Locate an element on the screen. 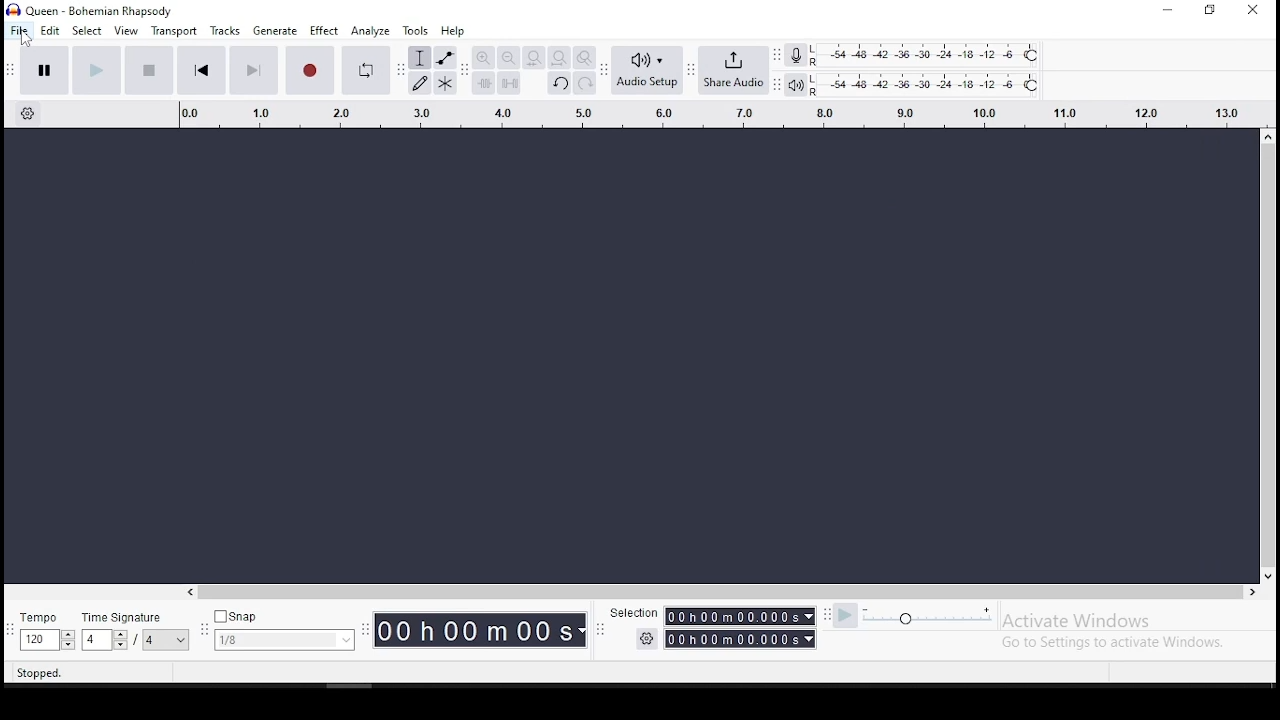  zoom toggle is located at coordinates (584, 58).